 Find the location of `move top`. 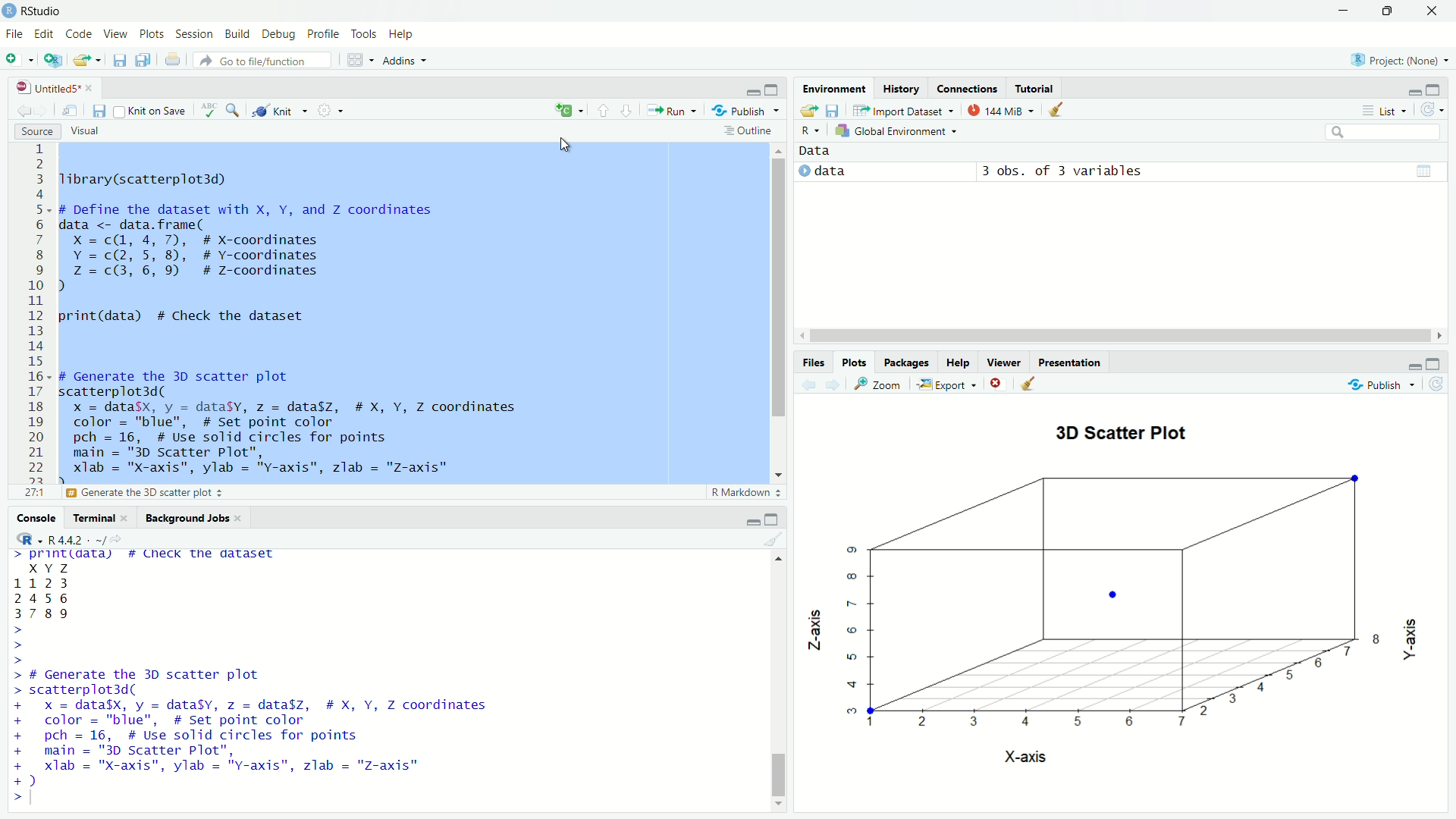

move top is located at coordinates (778, 557).